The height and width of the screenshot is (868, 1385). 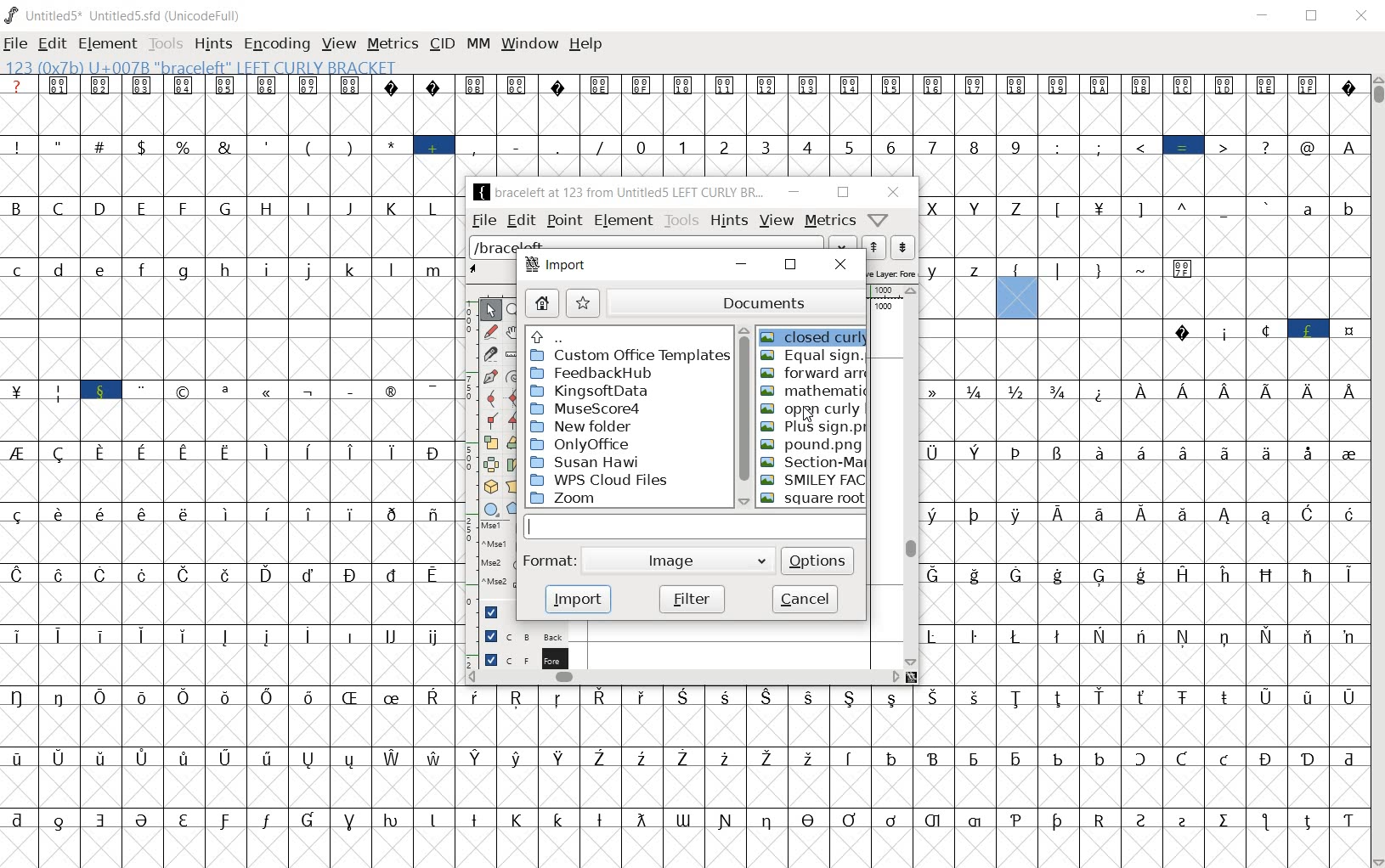 I want to click on onlyoffice, so click(x=582, y=442).